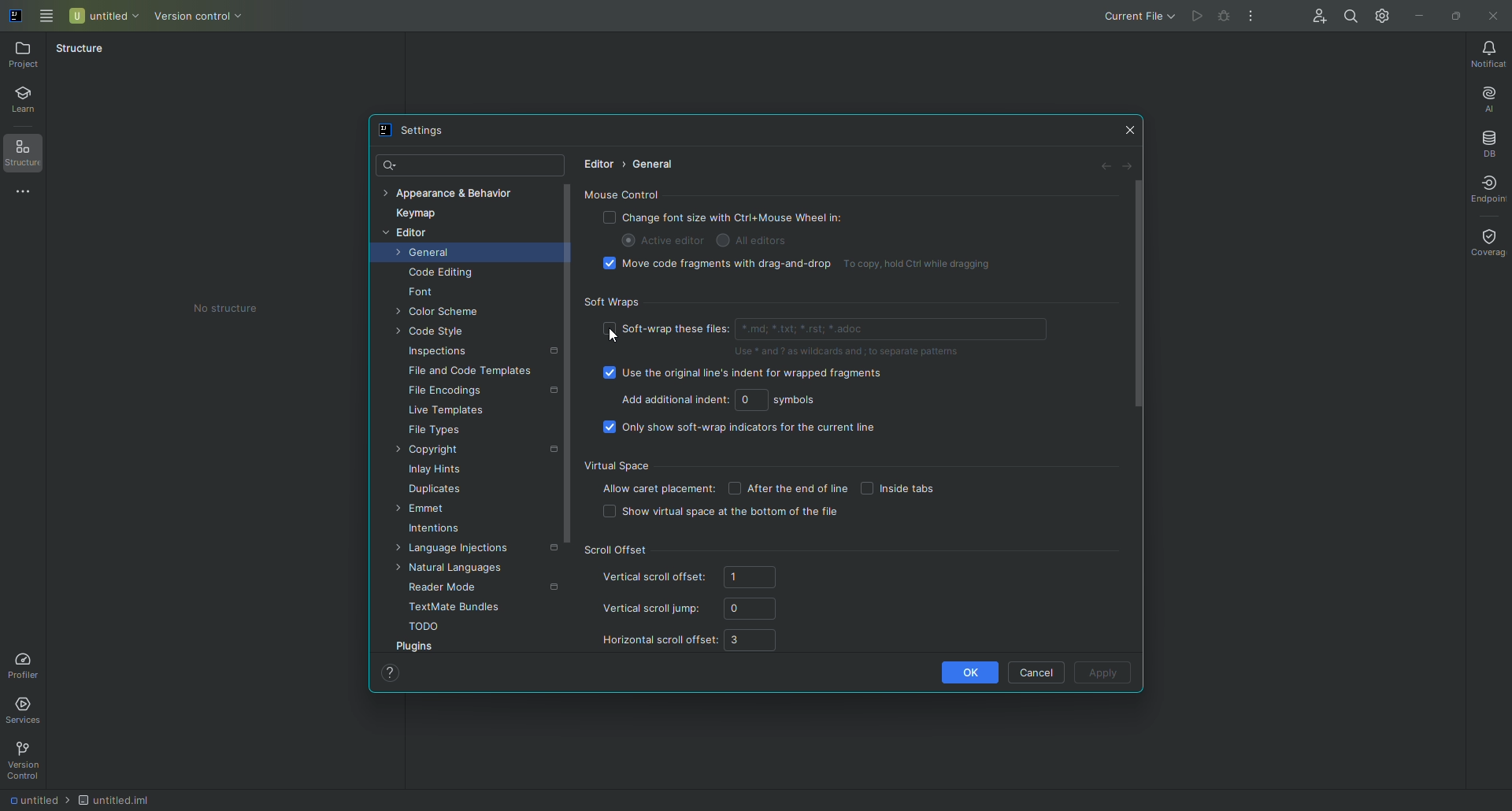 This screenshot has width=1512, height=811. Describe the element at coordinates (439, 352) in the screenshot. I see `Inspections` at that location.